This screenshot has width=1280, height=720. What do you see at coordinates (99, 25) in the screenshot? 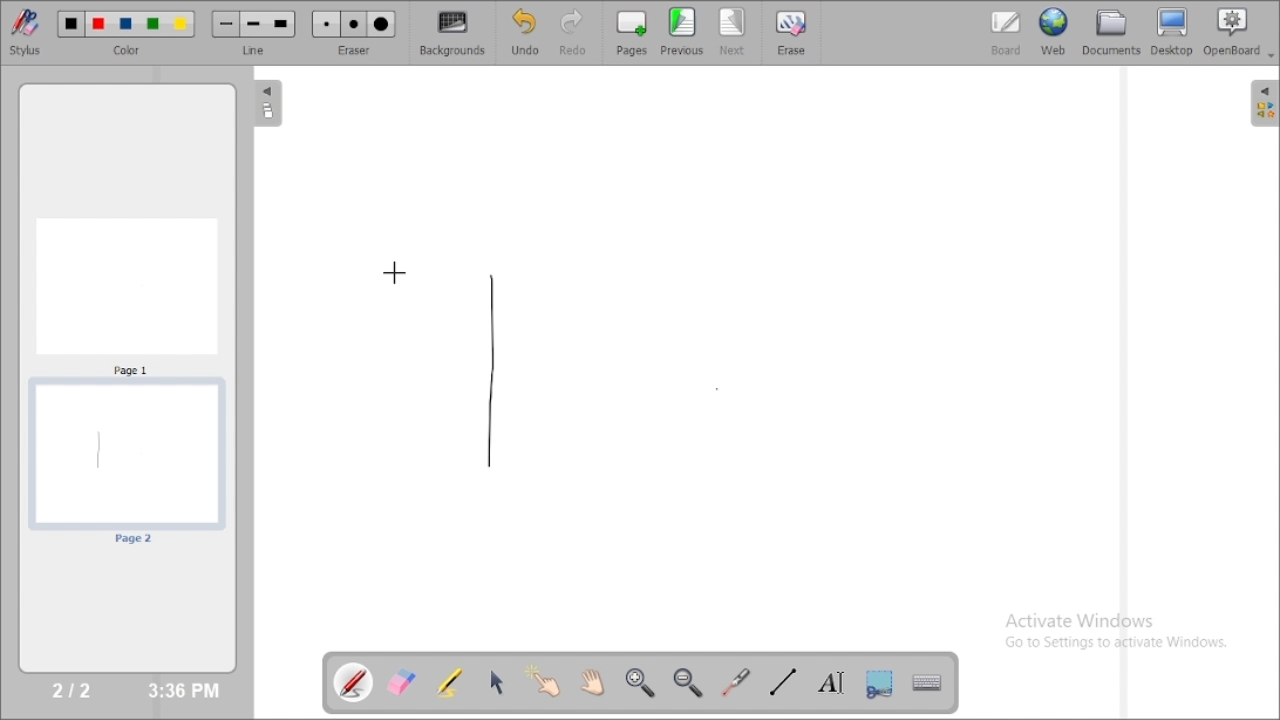
I see `Color 2` at bounding box center [99, 25].